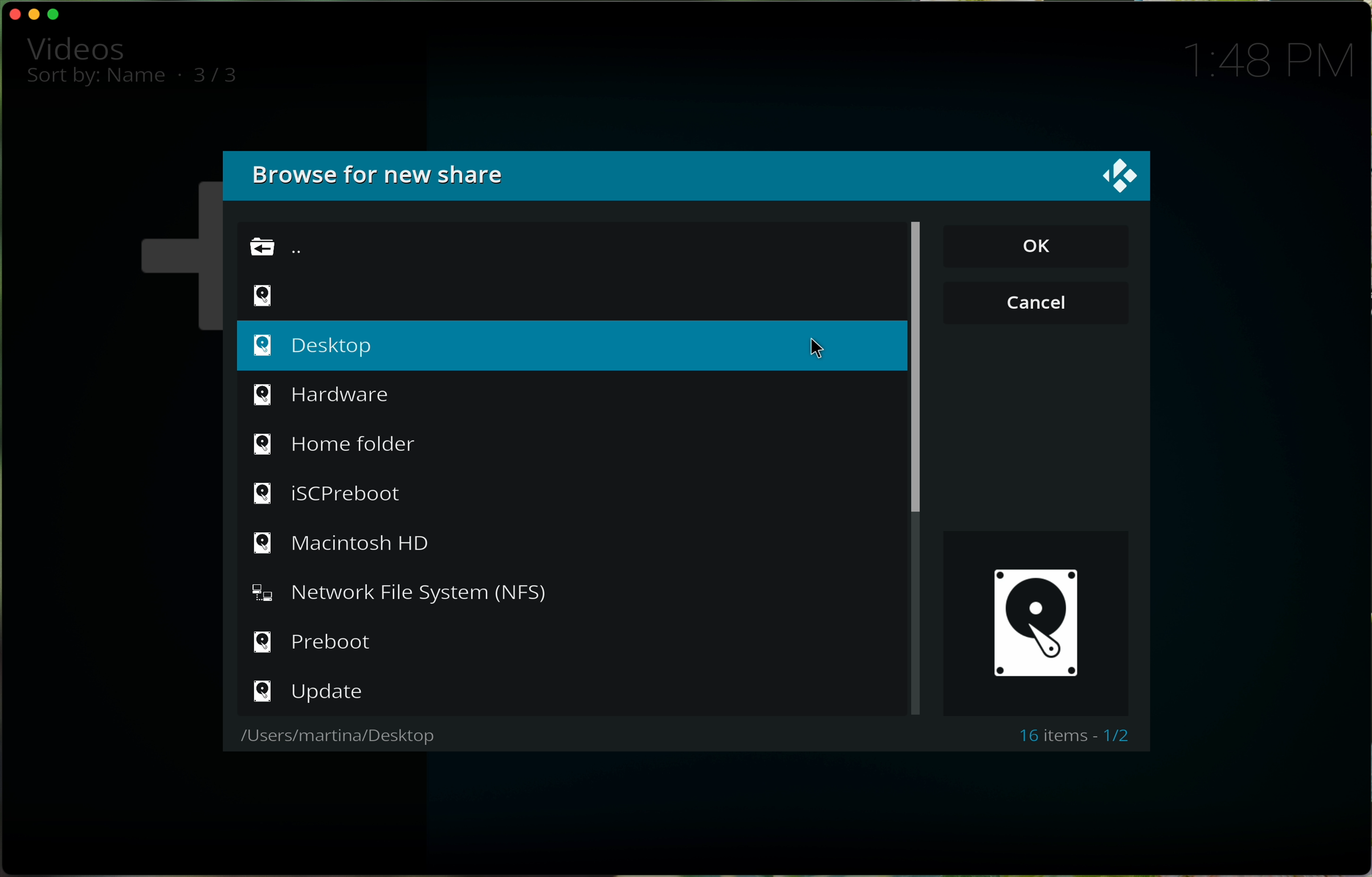 The image size is (1372, 877). I want to click on maximise, so click(57, 15).